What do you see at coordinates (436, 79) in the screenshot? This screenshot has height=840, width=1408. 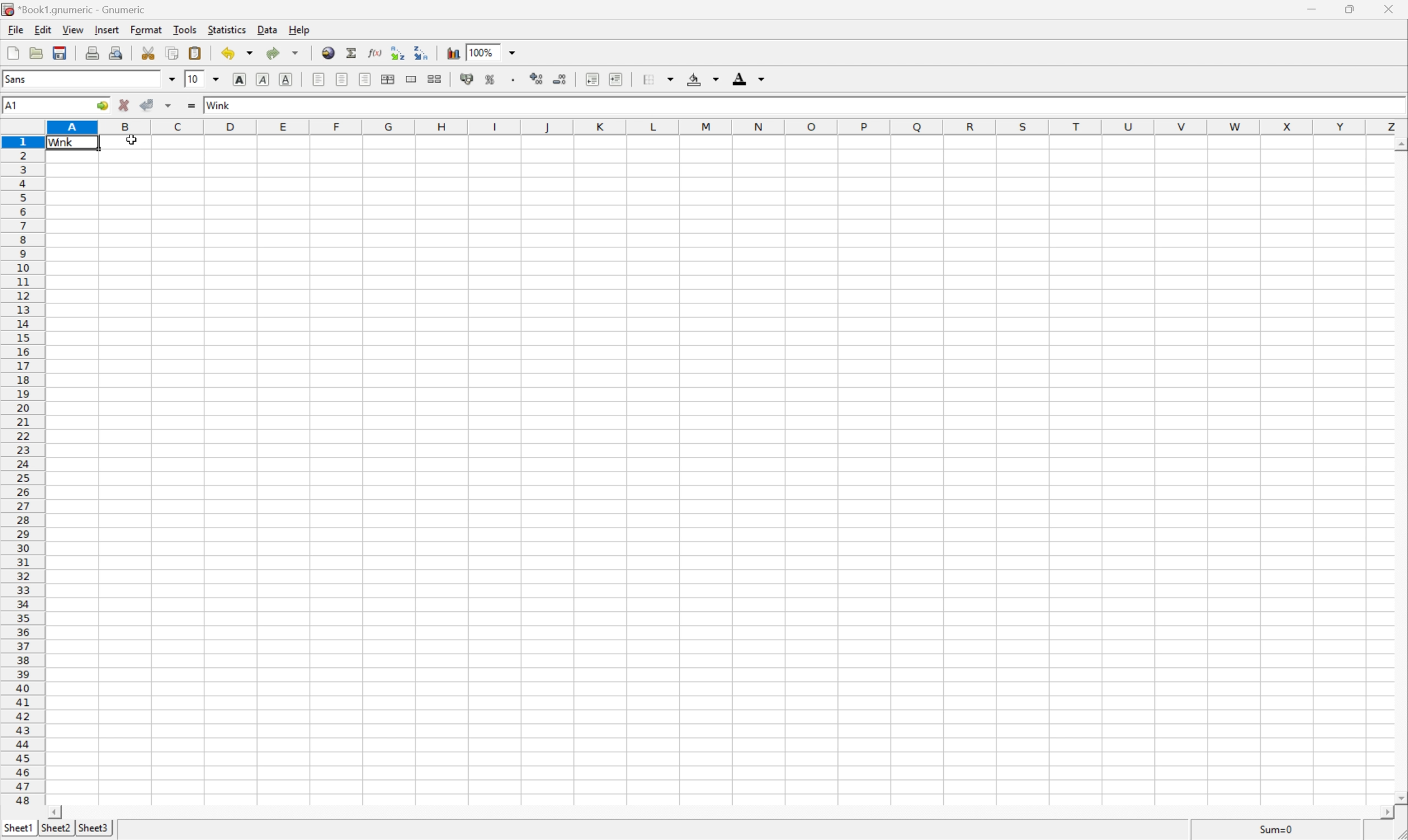 I see `split merged ranges of cells` at bounding box center [436, 79].